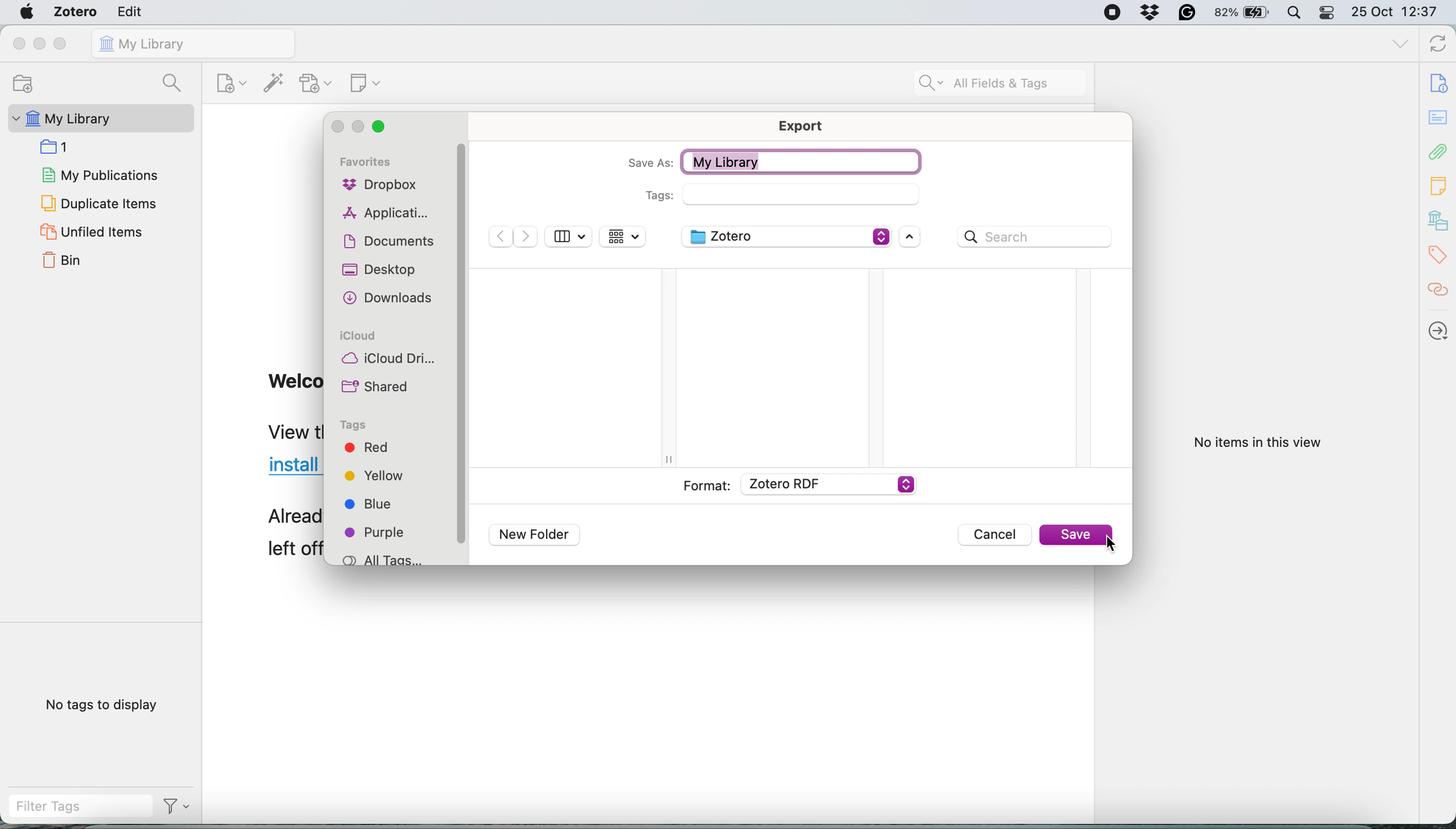 The image size is (1456, 829). What do you see at coordinates (360, 336) in the screenshot?
I see `iCloud` at bounding box center [360, 336].